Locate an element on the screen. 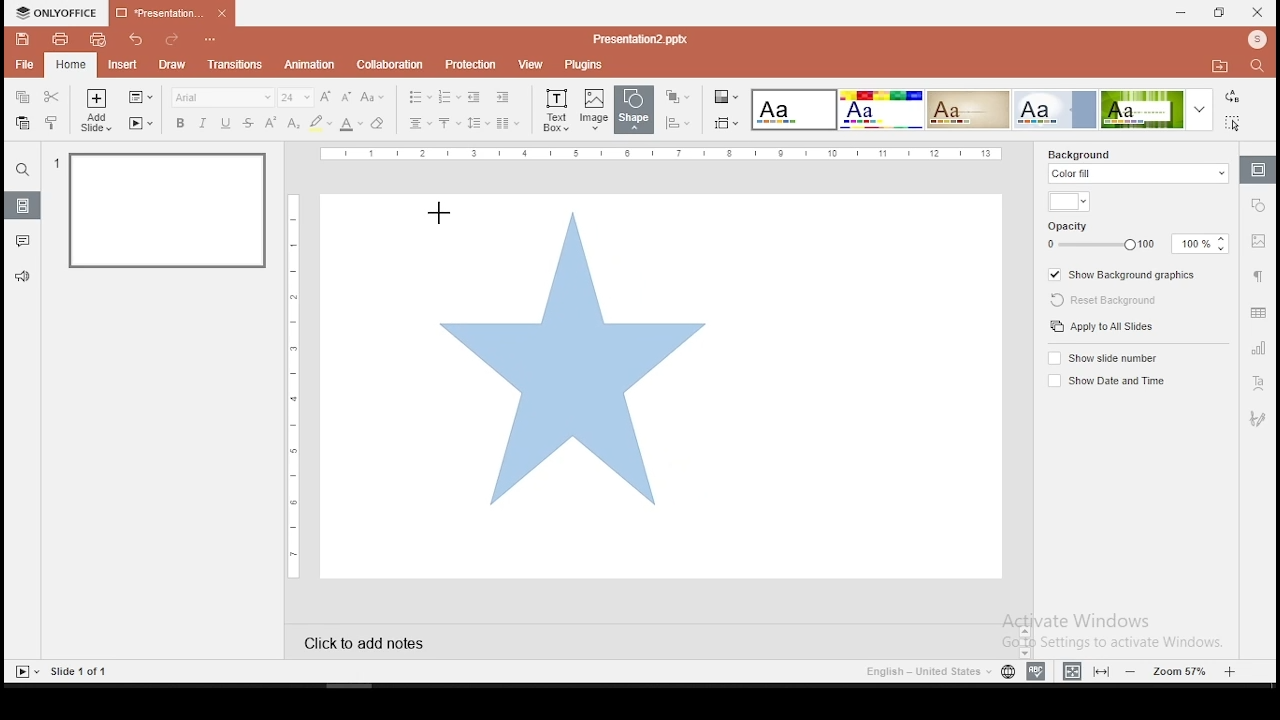  language is located at coordinates (1008, 674).